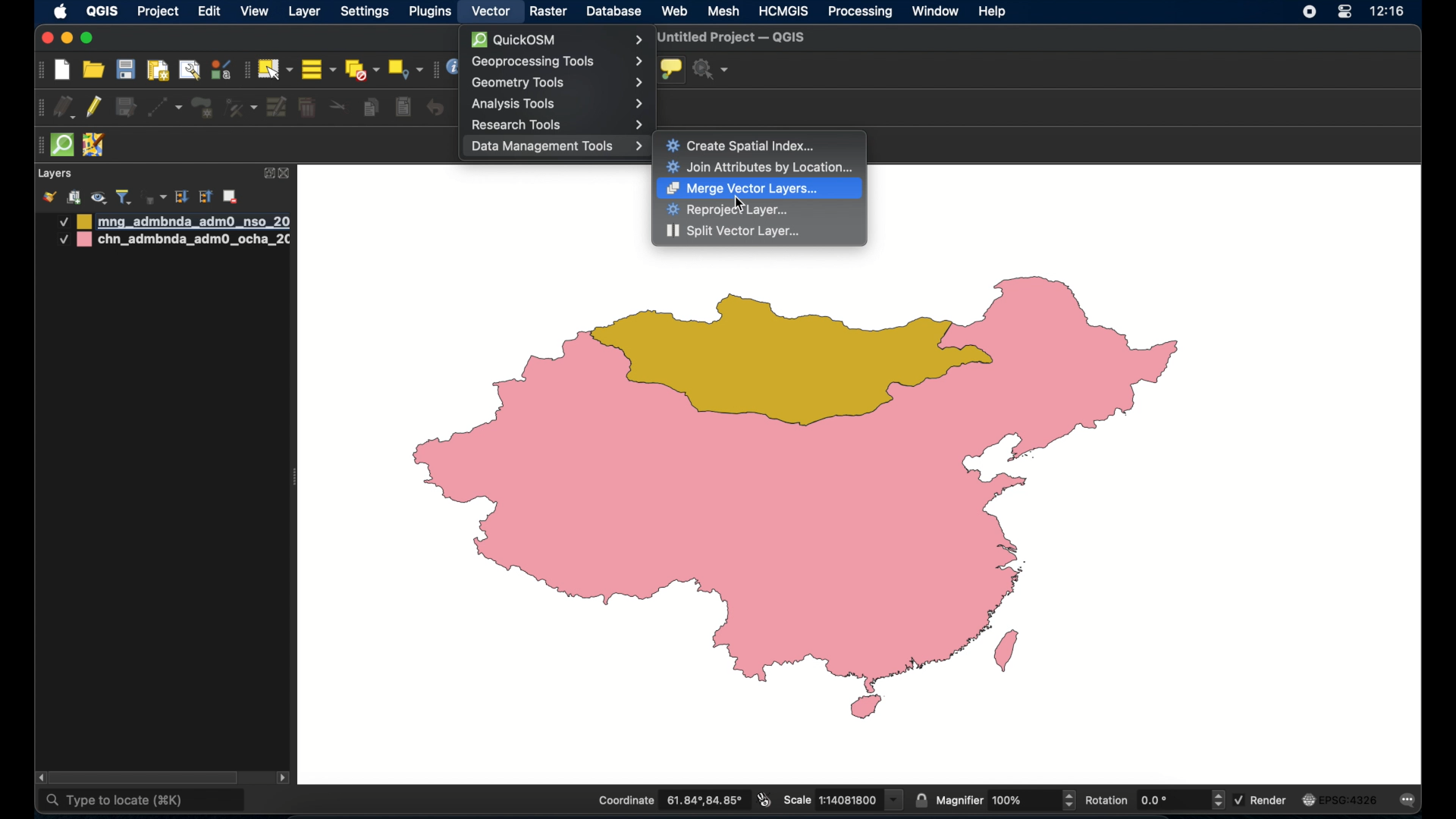 The width and height of the screenshot is (1456, 819). I want to click on expand, so click(268, 172).